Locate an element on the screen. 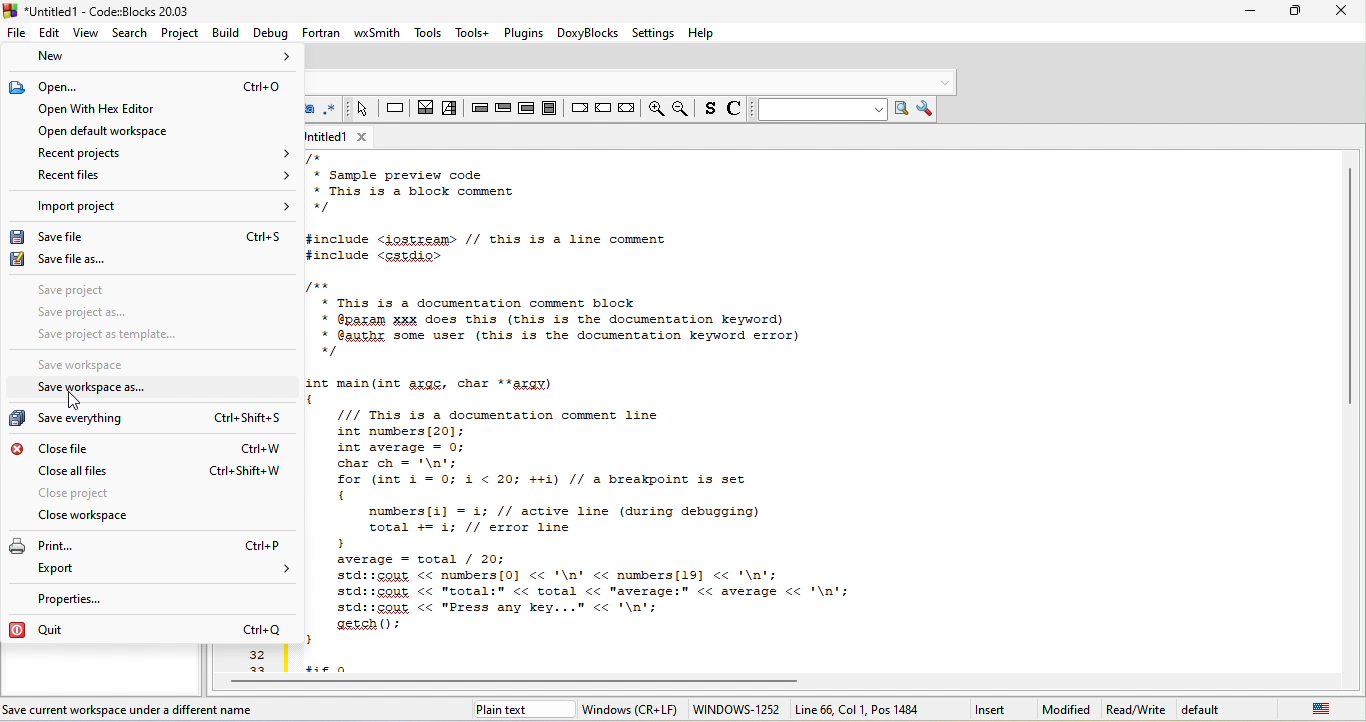 The height and width of the screenshot is (722, 1366). settings is located at coordinates (653, 34).